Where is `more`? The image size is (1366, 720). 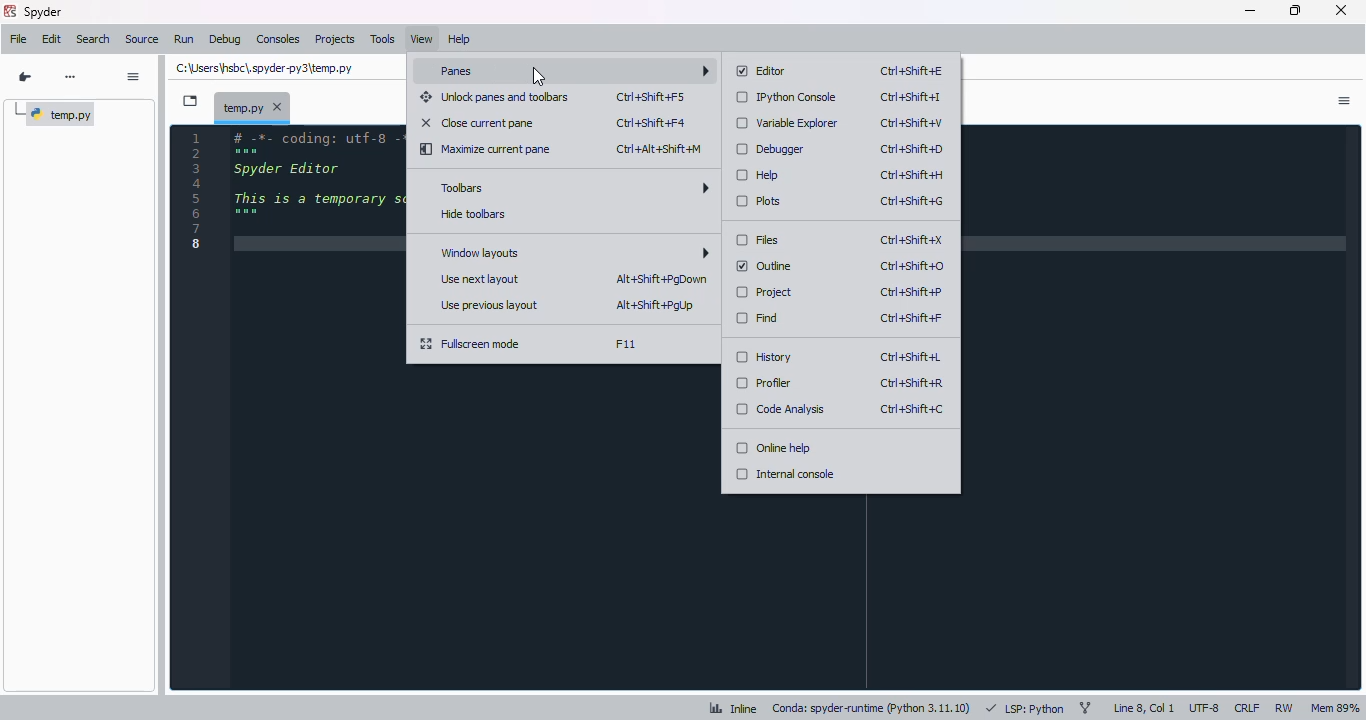
more is located at coordinates (71, 76).